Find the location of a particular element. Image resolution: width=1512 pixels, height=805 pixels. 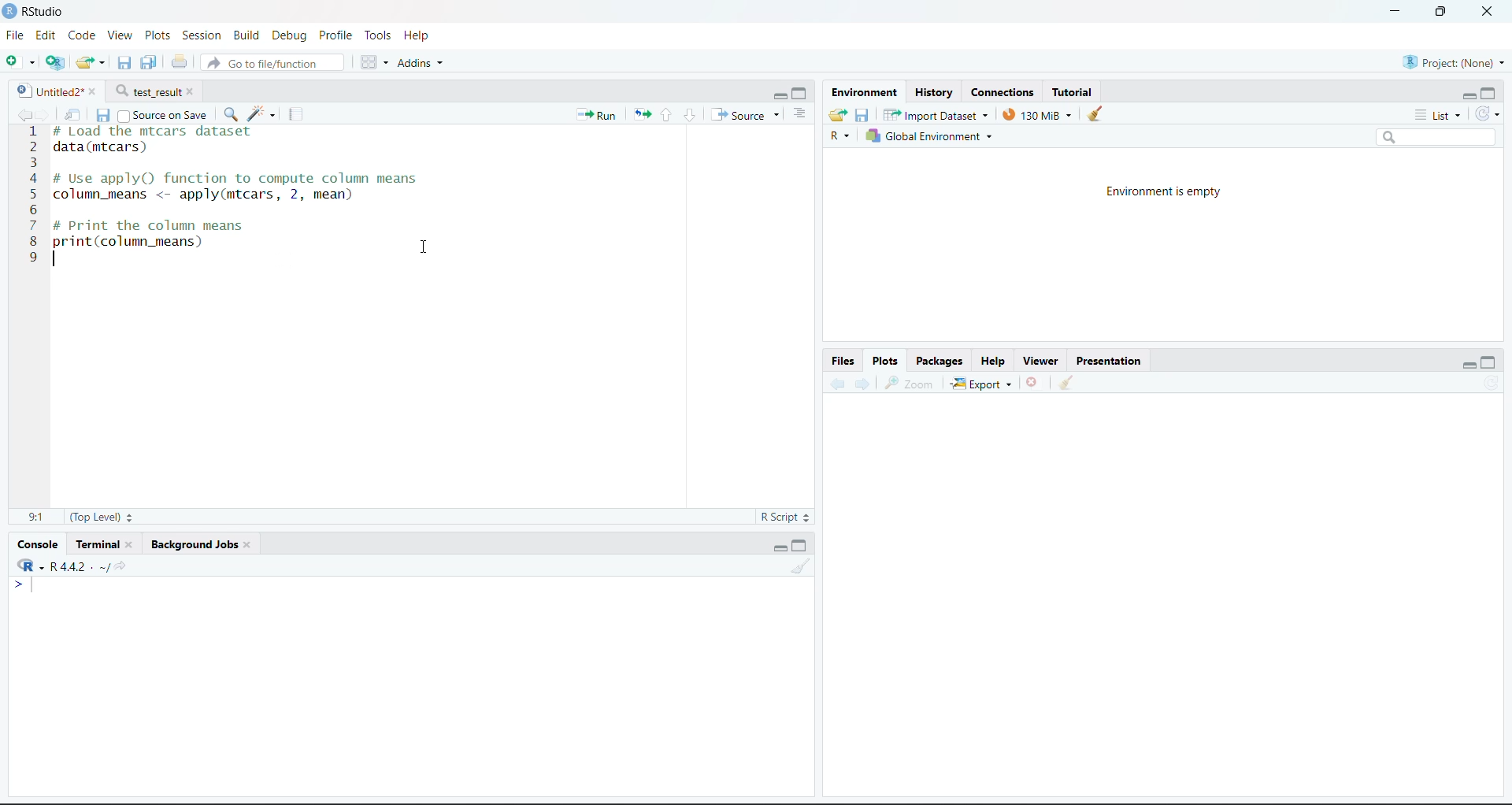

Profile is located at coordinates (338, 34).